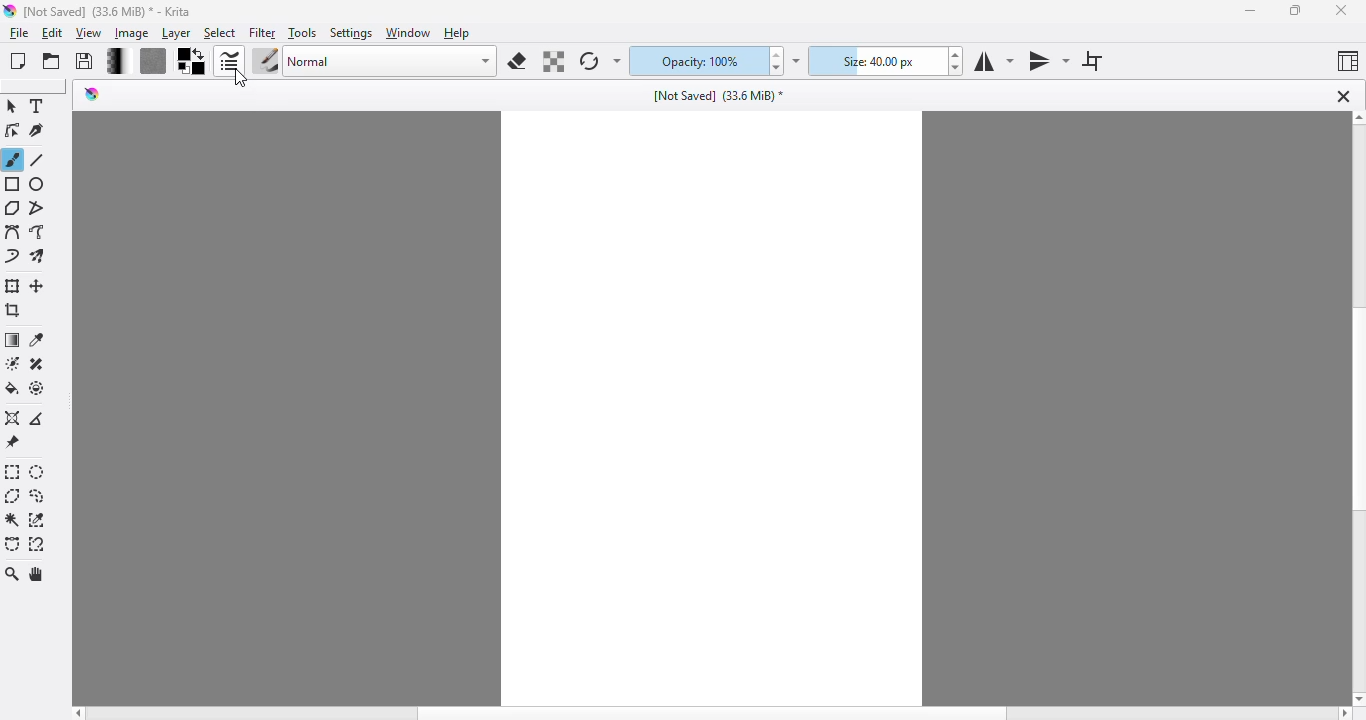 Image resolution: width=1366 pixels, height=720 pixels. What do you see at coordinates (266, 62) in the screenshot?
I see `choose brush preset` at bounding box center [266, 62].